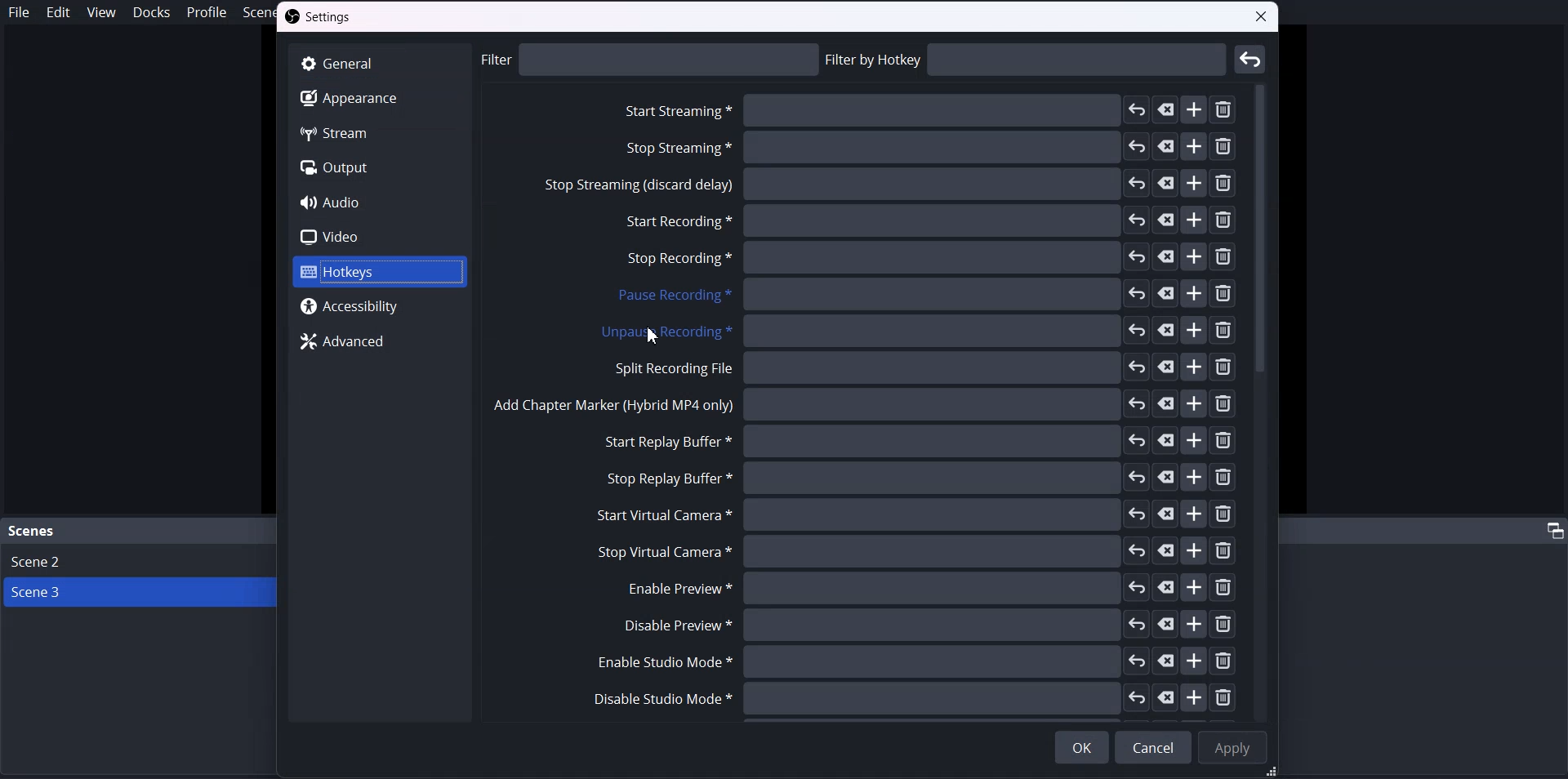 This screenshot has height=779, width=1568. I want to click on Start reply buffer, so click(916, 440).